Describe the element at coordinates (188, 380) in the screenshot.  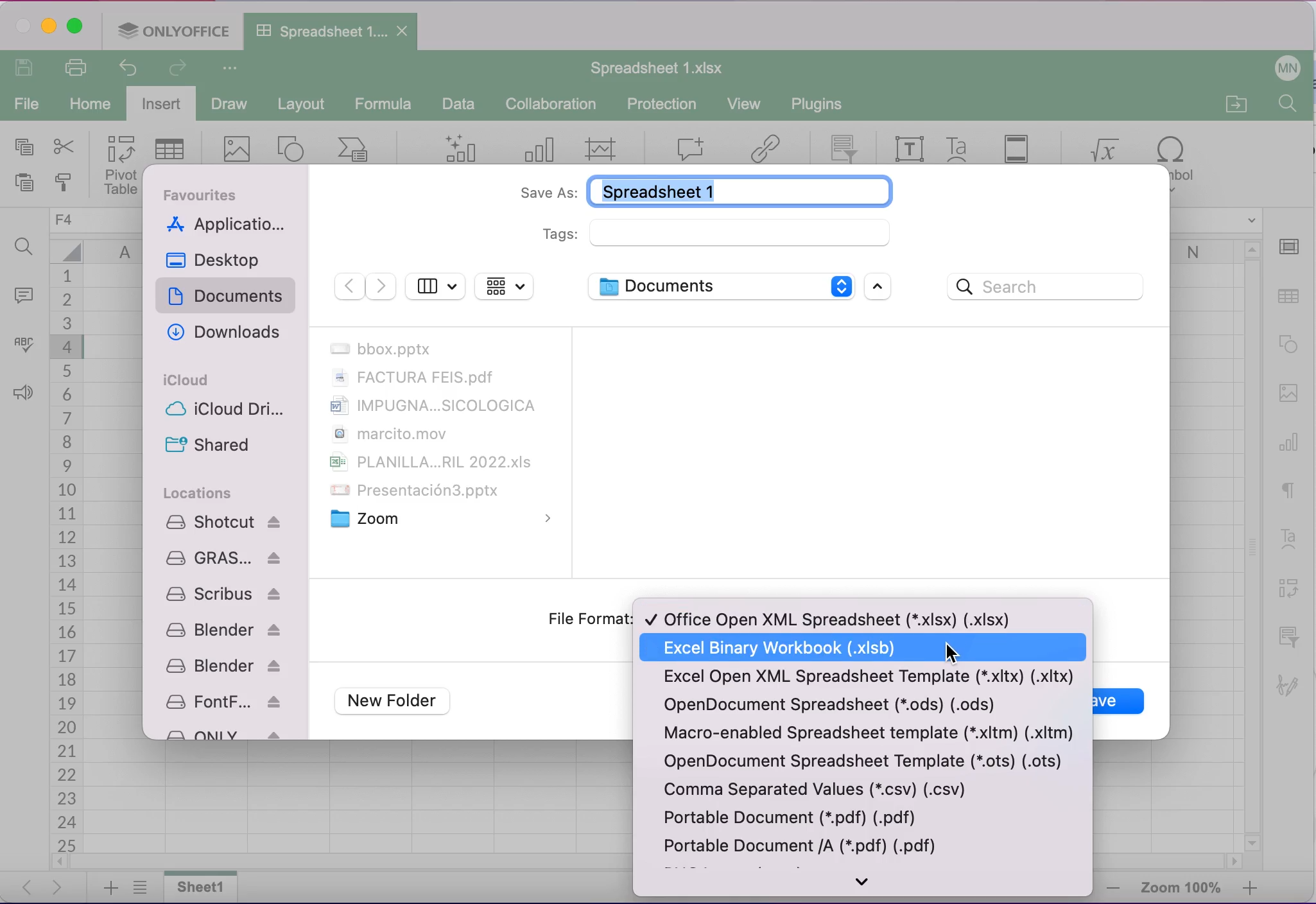
I see `icloud` at that location.